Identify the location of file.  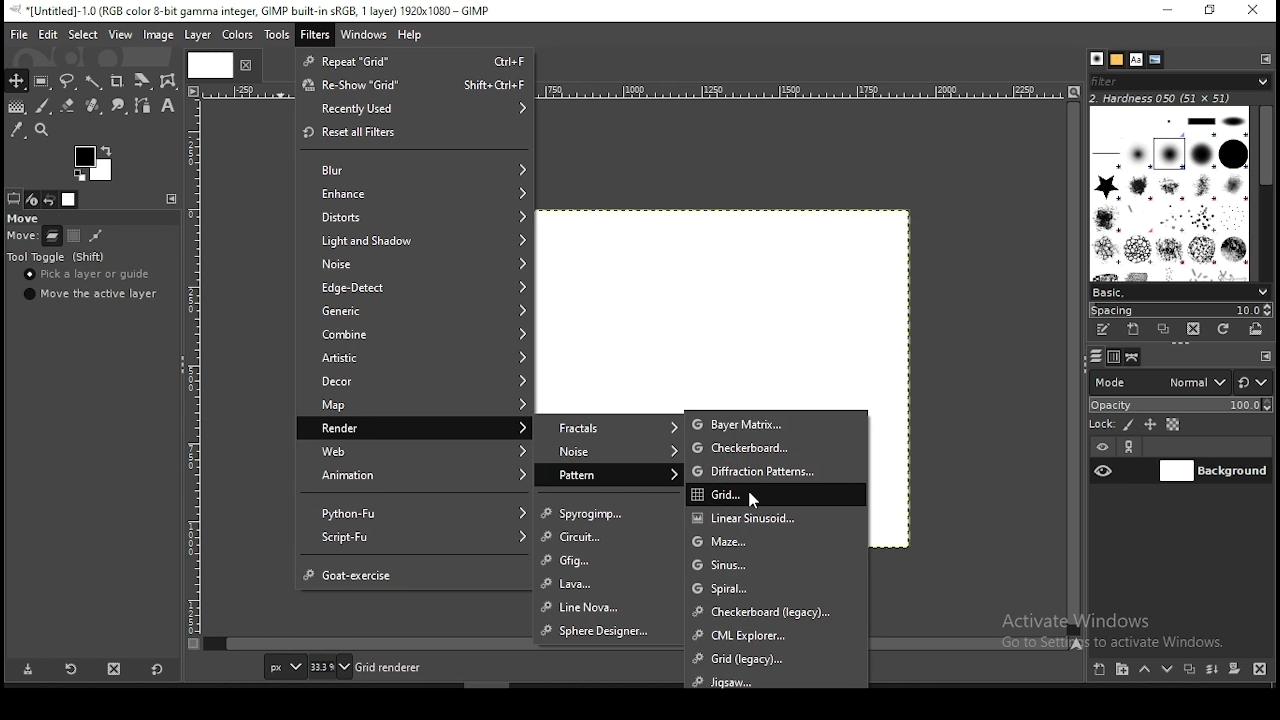
(19, 34).